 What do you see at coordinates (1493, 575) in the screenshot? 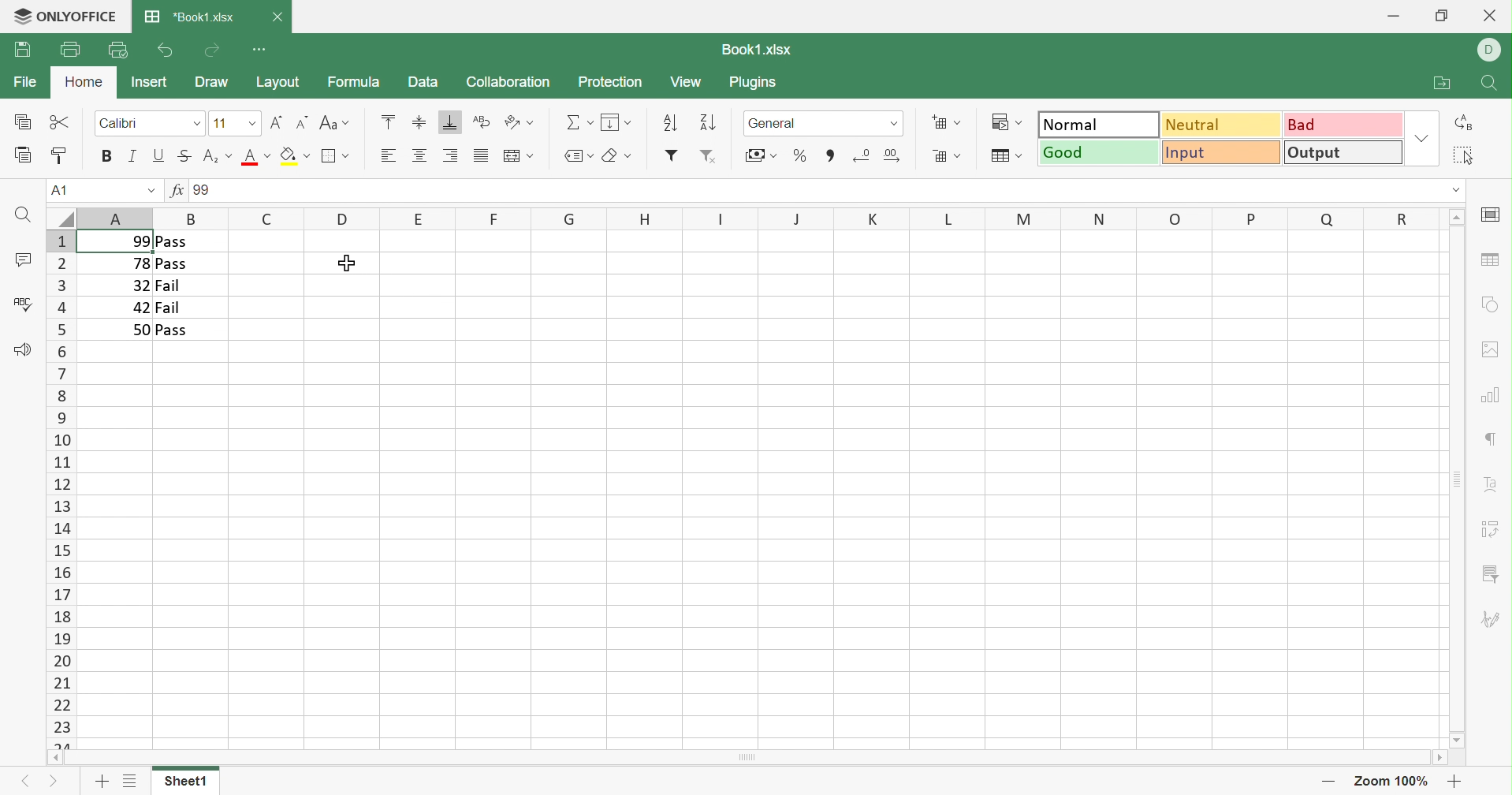
I see `Slicer settings` at bounding box center [1493, 575].